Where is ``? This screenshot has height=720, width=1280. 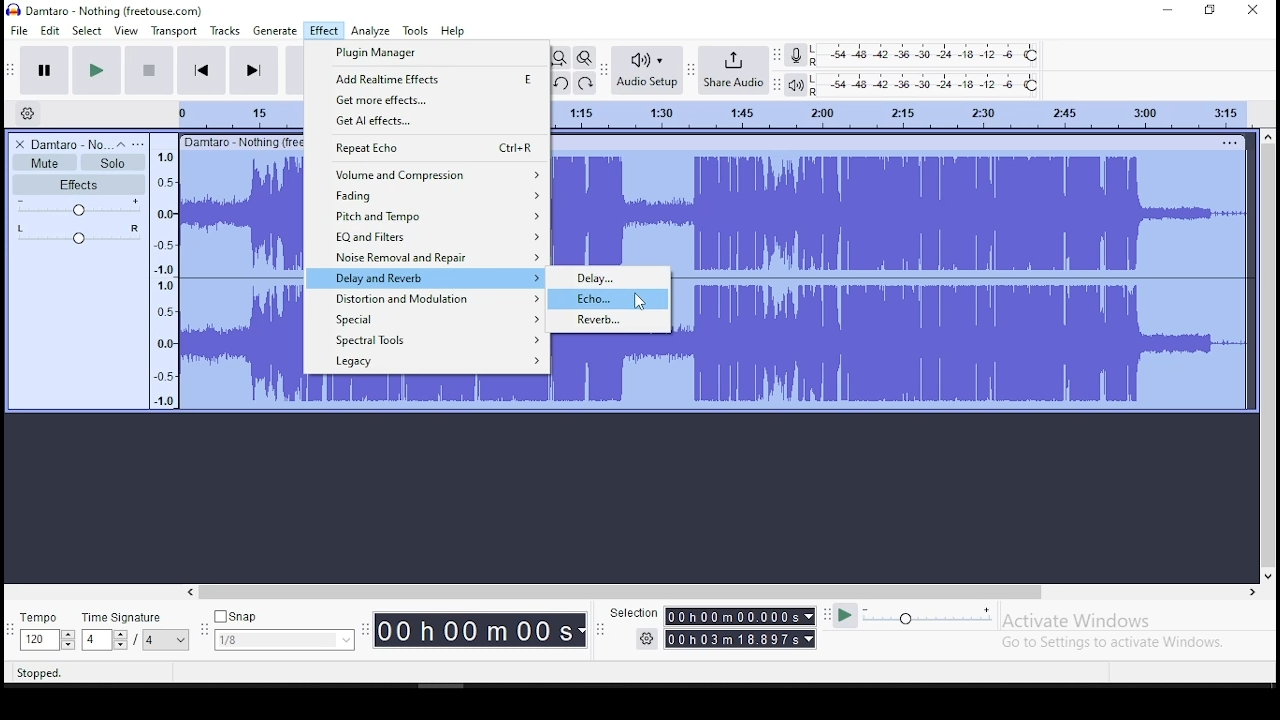  is located at coordinates (690, 70).